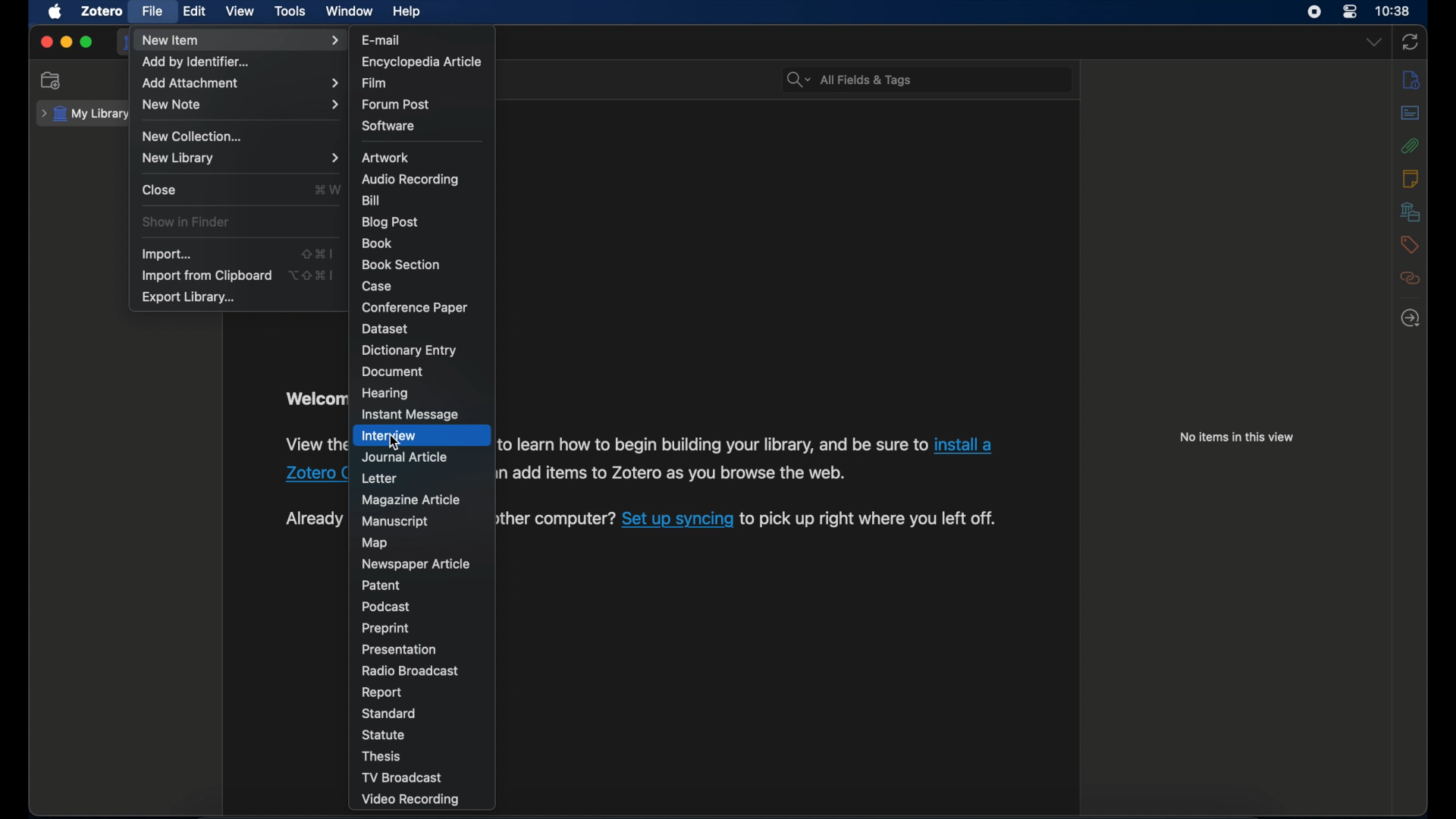  I want to click on hearing, so click(388, 394).